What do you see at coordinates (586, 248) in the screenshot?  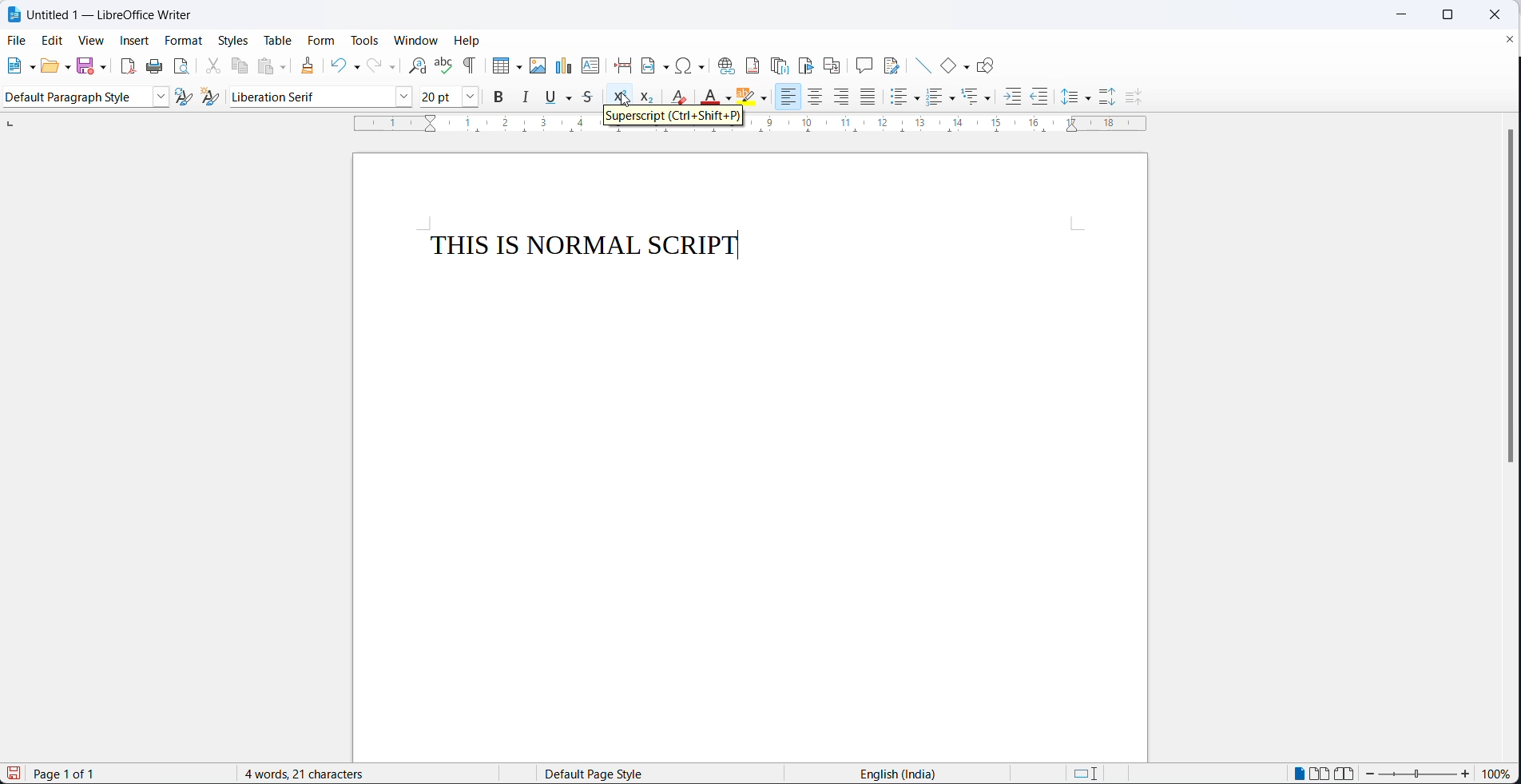 I see `THIS IS NORMAL SCRIPT]` at bounding box center [586, 248].